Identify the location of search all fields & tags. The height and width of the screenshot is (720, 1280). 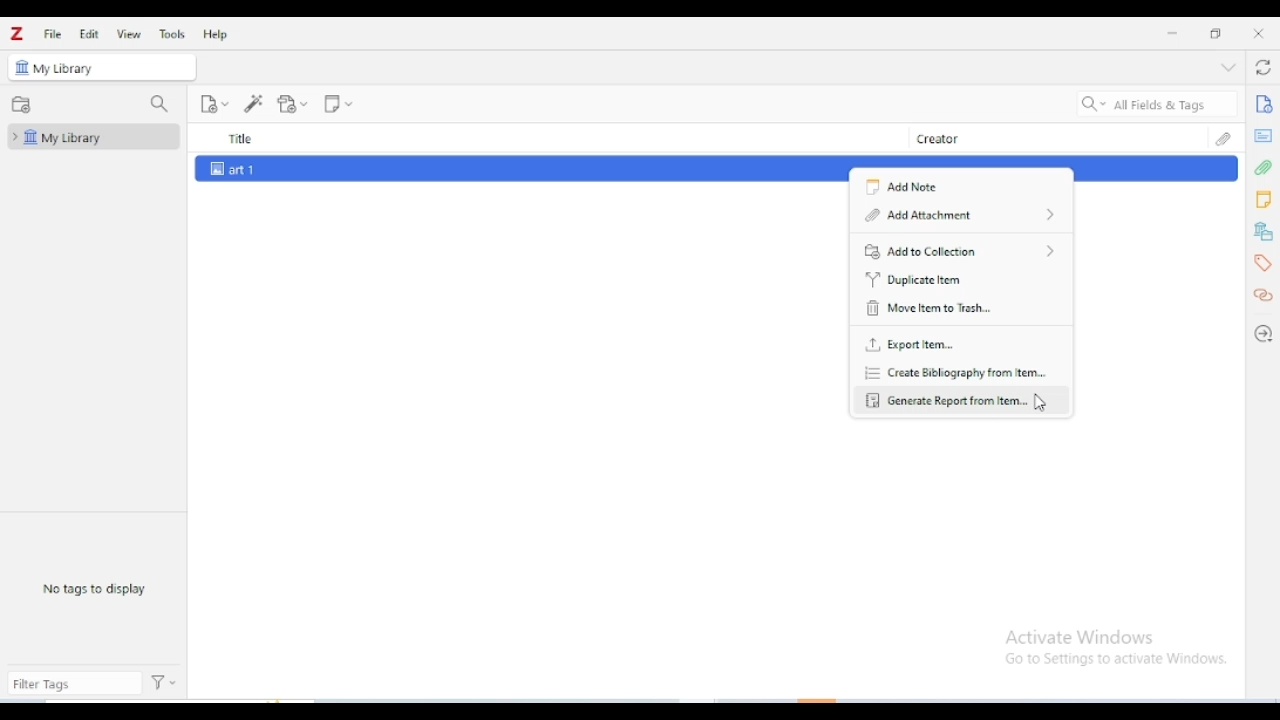
(1158, 104).